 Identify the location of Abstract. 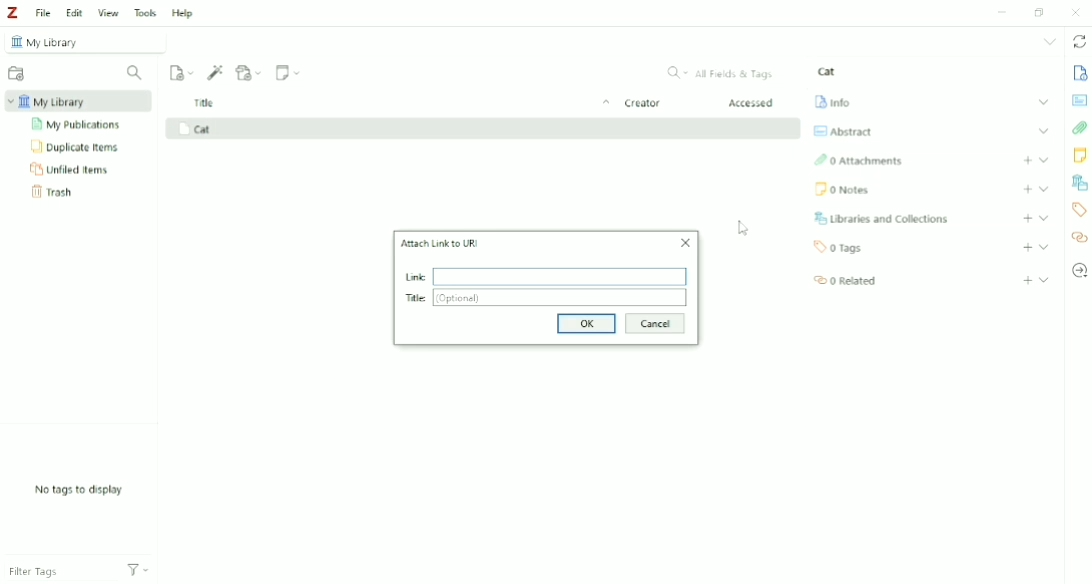
(1079, 99).